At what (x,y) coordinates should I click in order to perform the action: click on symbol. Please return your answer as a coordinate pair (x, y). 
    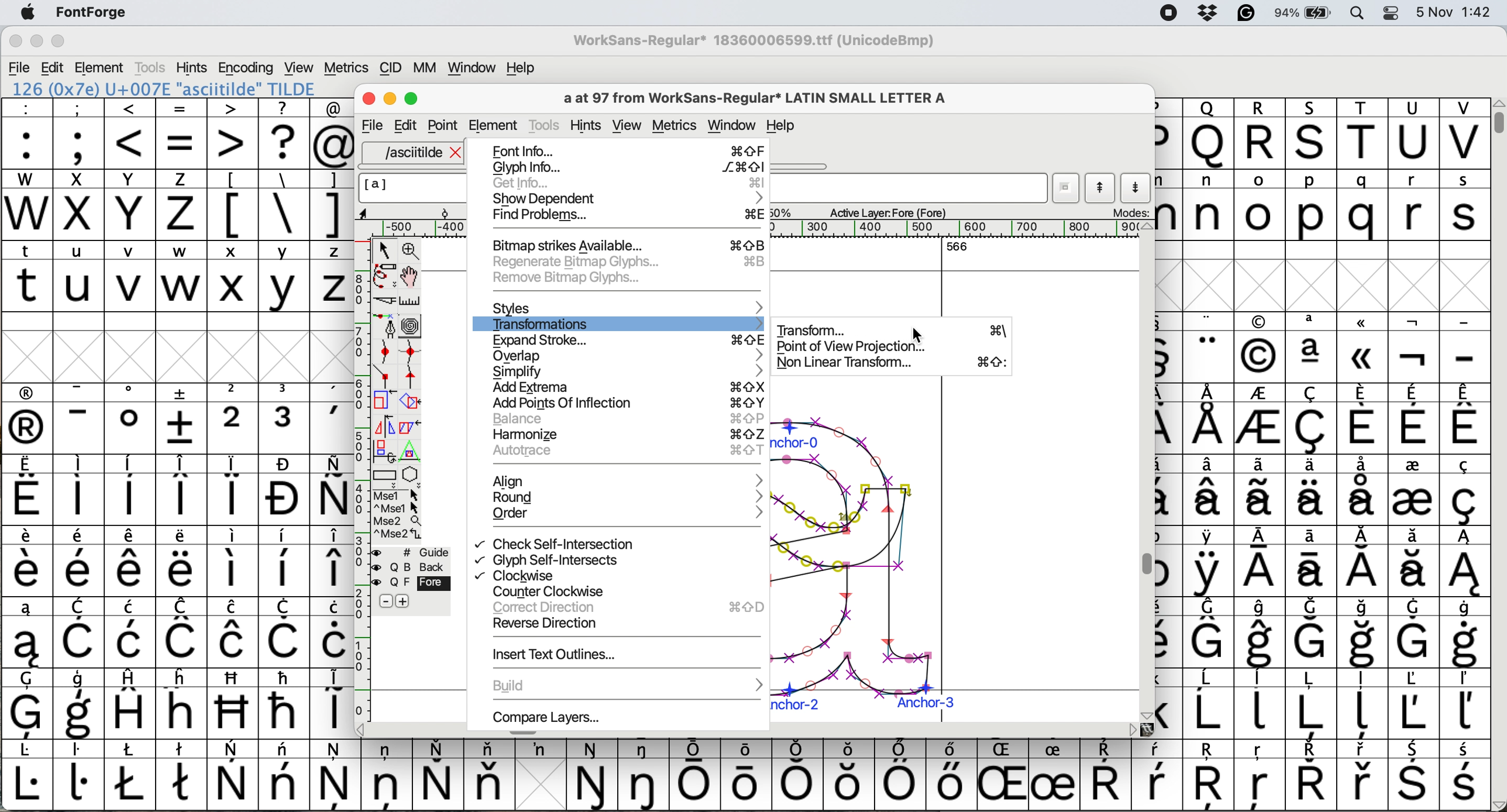
    Looking at the image, I should click on (1466, 418).